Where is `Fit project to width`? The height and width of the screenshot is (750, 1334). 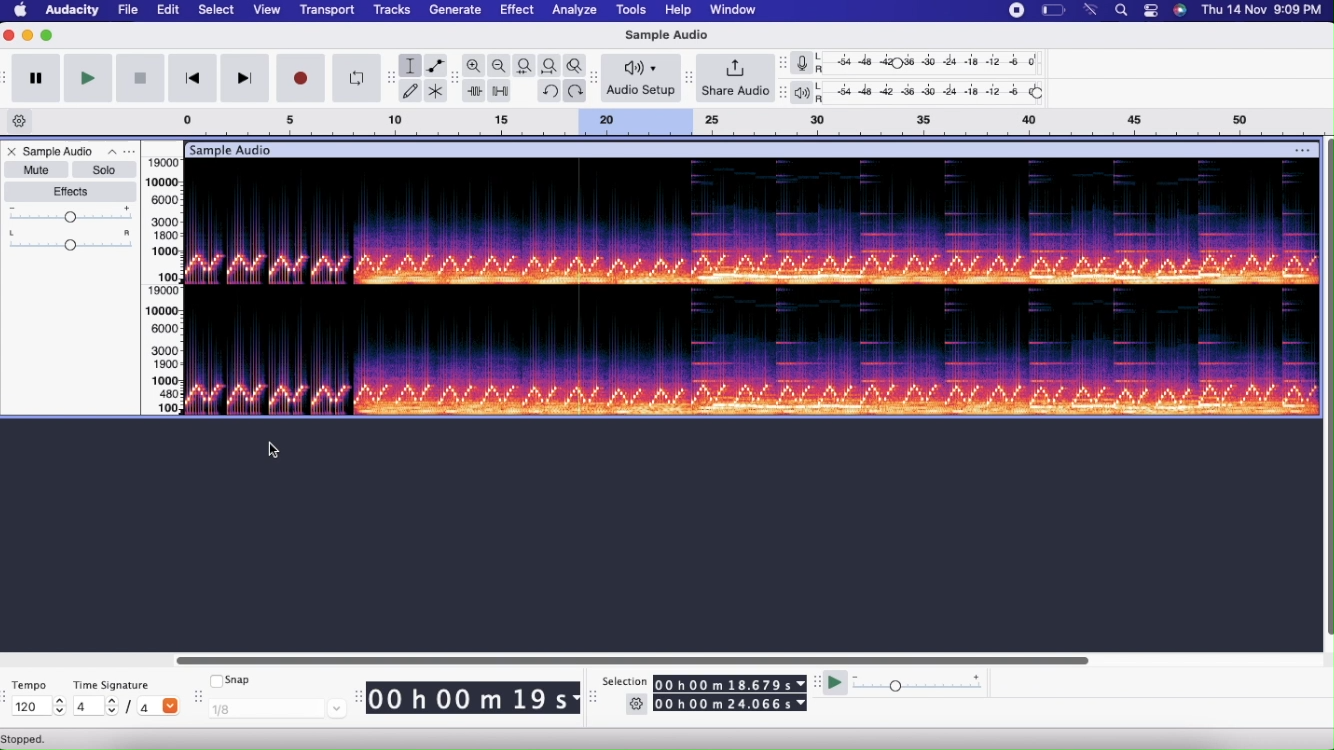
Fit project to width is located at coordinates (551, 65).